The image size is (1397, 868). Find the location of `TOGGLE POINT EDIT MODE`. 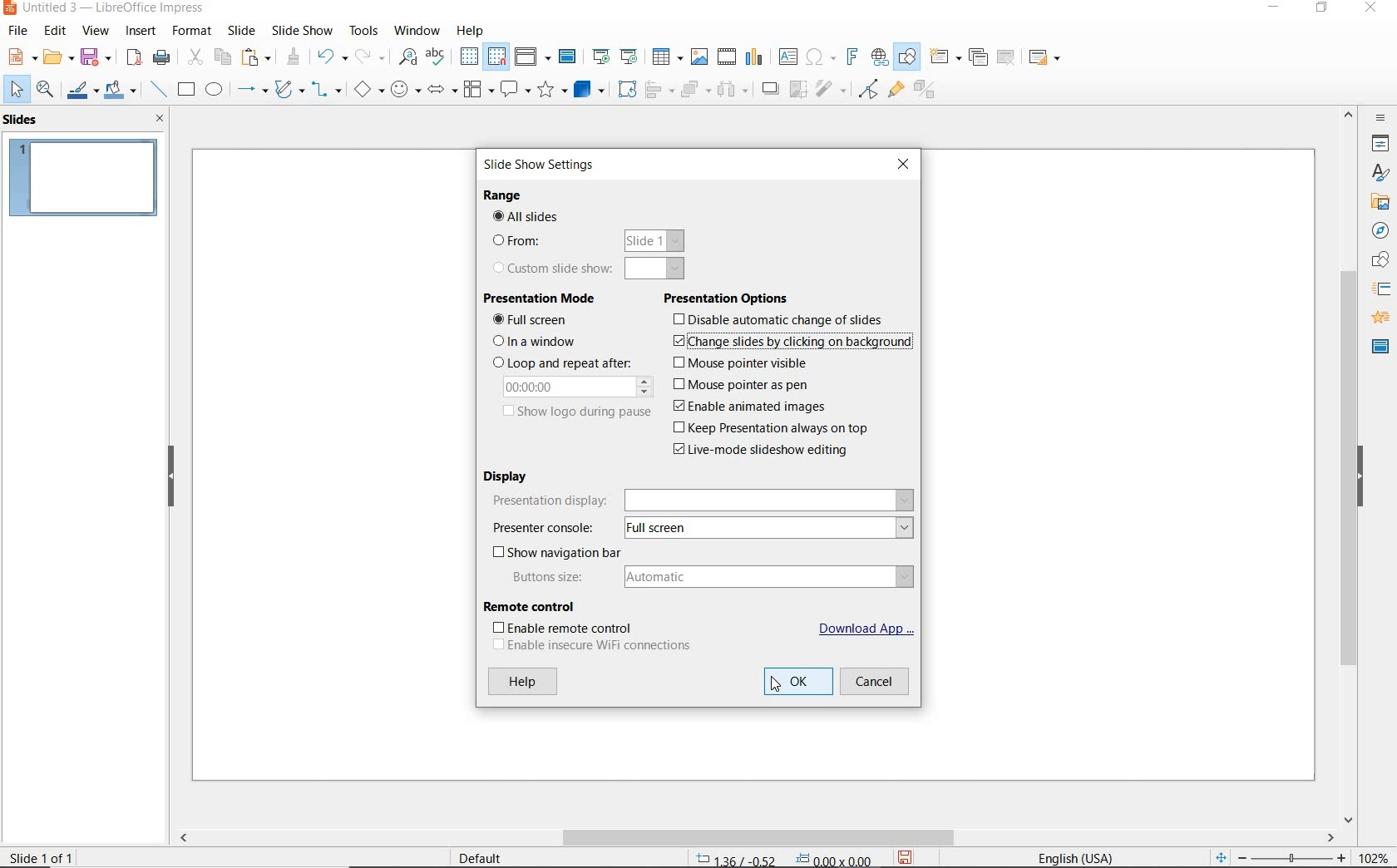

TOGGLE POINT EDIT MODE is located at coordinates (870, 87).